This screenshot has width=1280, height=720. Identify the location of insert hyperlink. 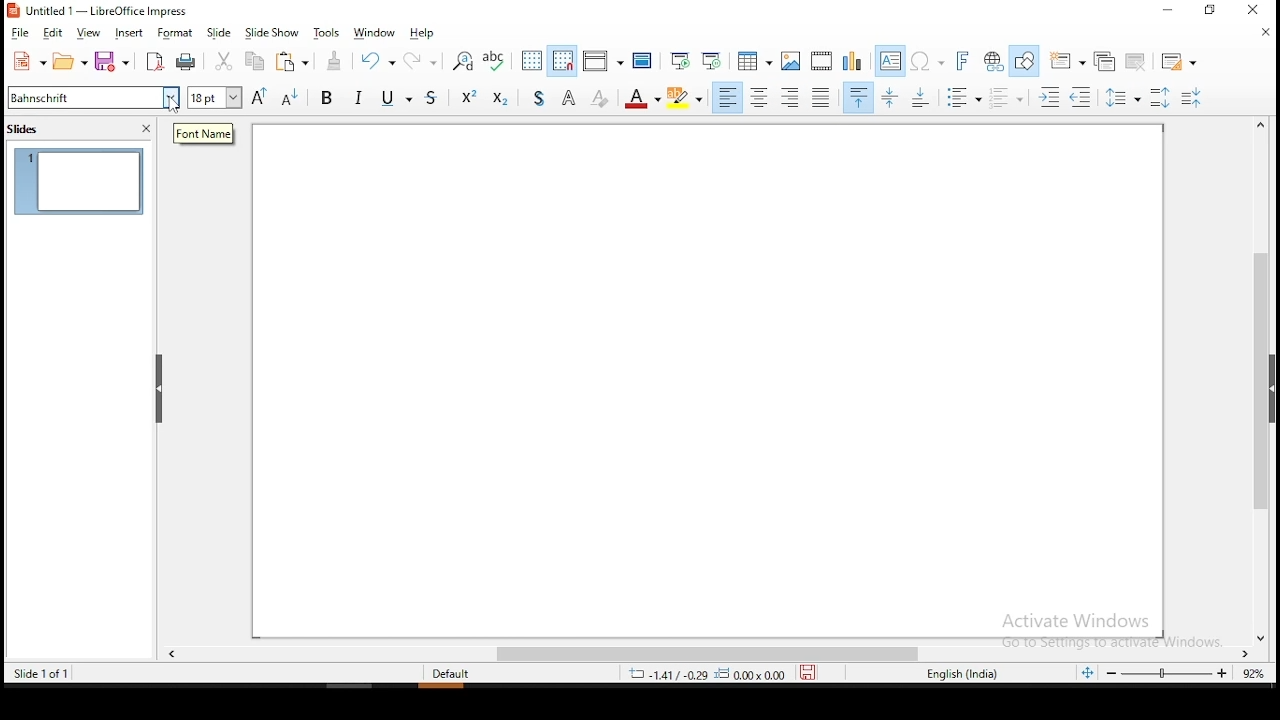
(994, 61).